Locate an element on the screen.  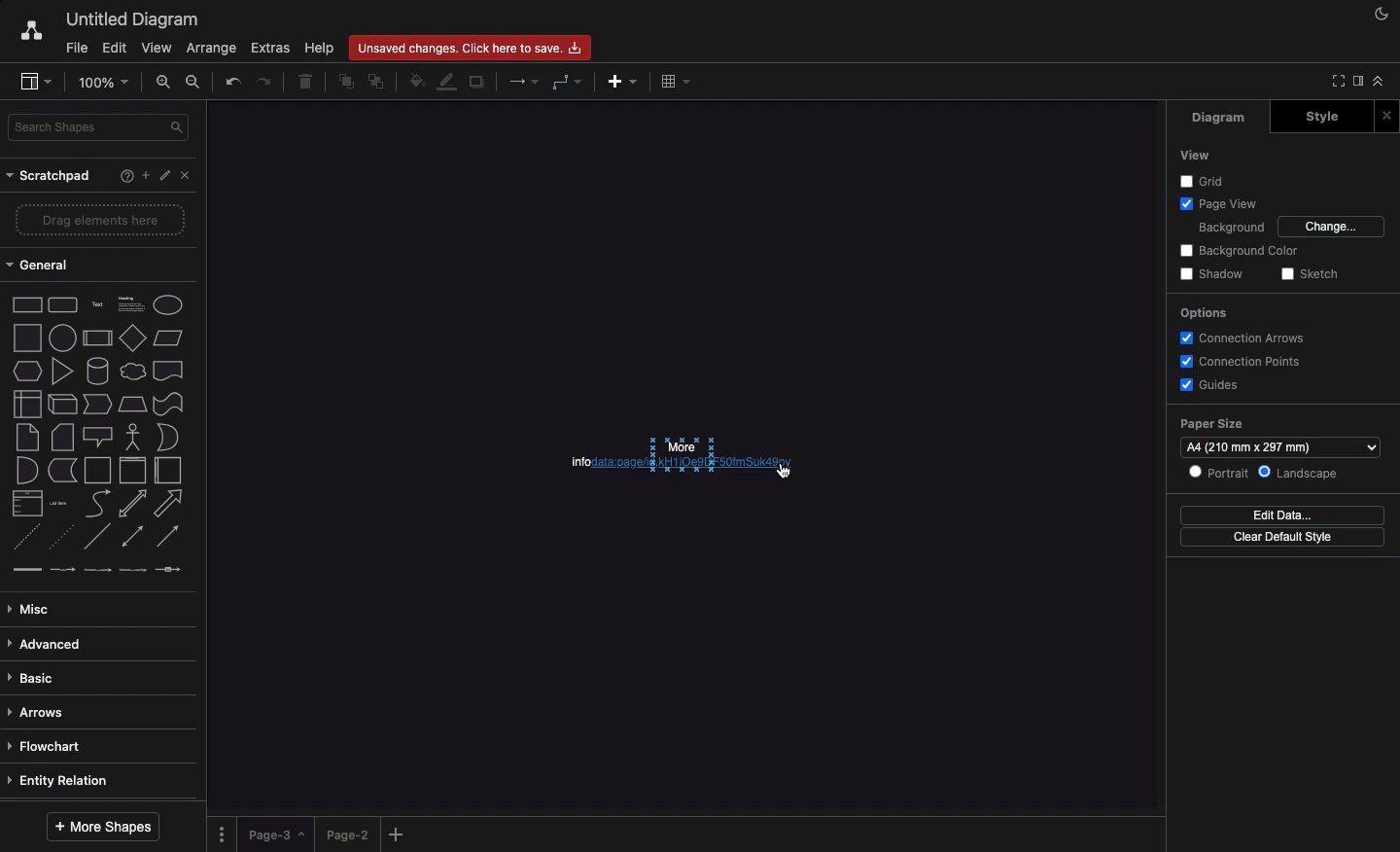
Arrows is located at coordinates (40, 714).